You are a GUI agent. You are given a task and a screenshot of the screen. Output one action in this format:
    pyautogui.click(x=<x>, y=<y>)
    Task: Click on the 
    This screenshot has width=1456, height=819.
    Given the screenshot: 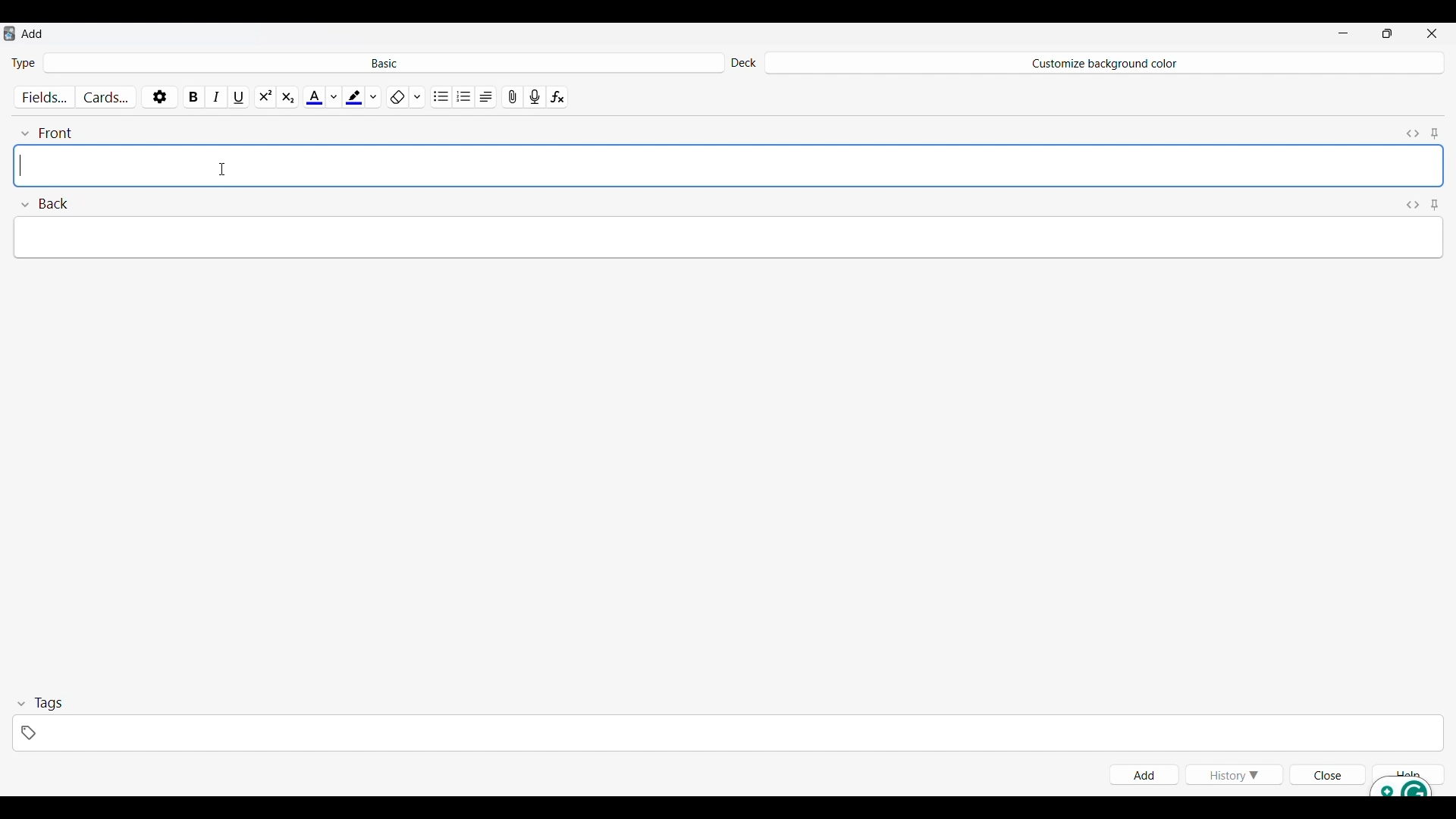 What is the action you would take?
    pyautogui.click(x=1235, y=774)
    